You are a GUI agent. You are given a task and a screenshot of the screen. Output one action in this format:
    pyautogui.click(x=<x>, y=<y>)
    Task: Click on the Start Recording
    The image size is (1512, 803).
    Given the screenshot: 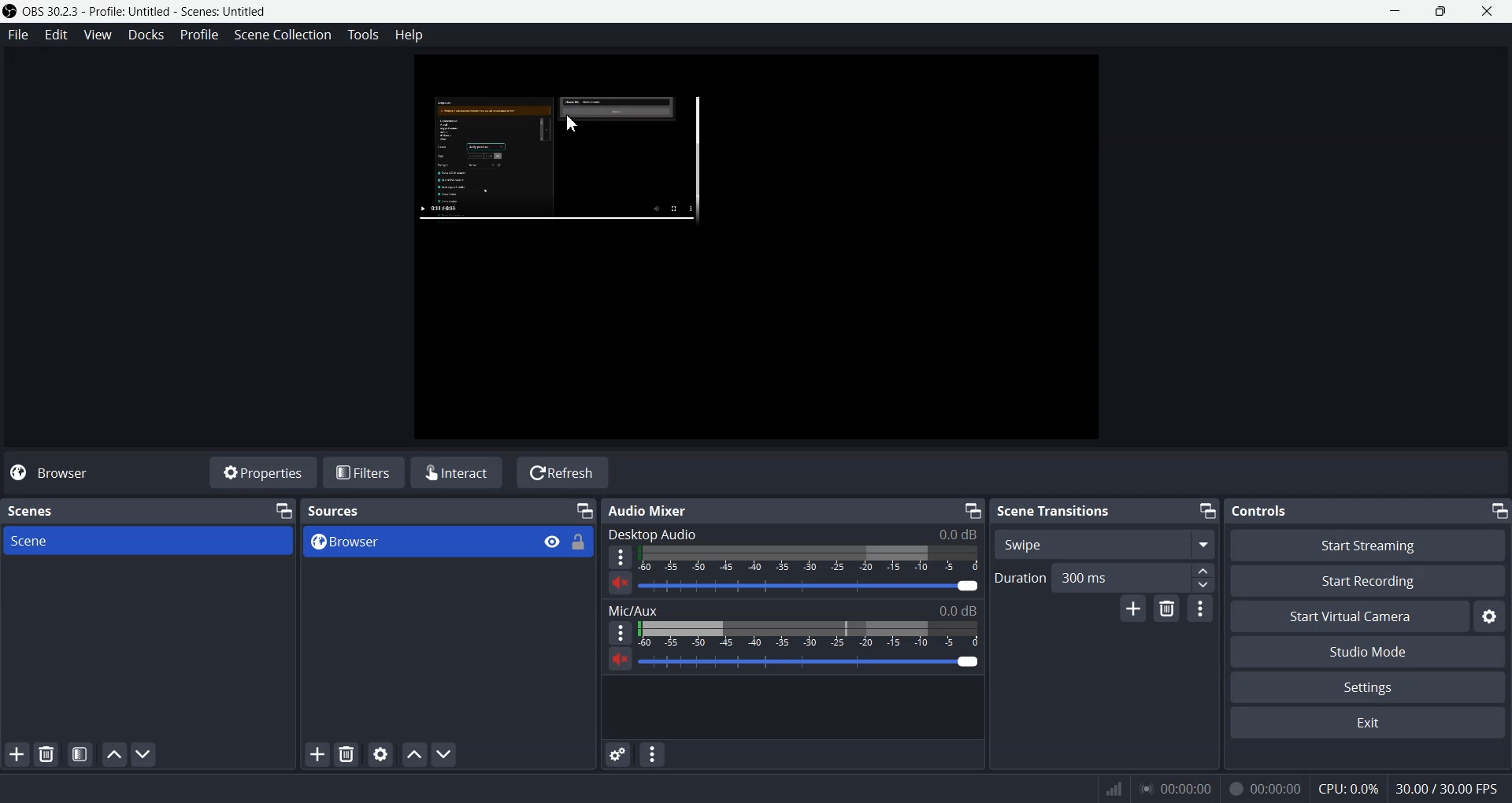 What is the action you would take?
    pyautogui.click(x=1366, y=582)
    